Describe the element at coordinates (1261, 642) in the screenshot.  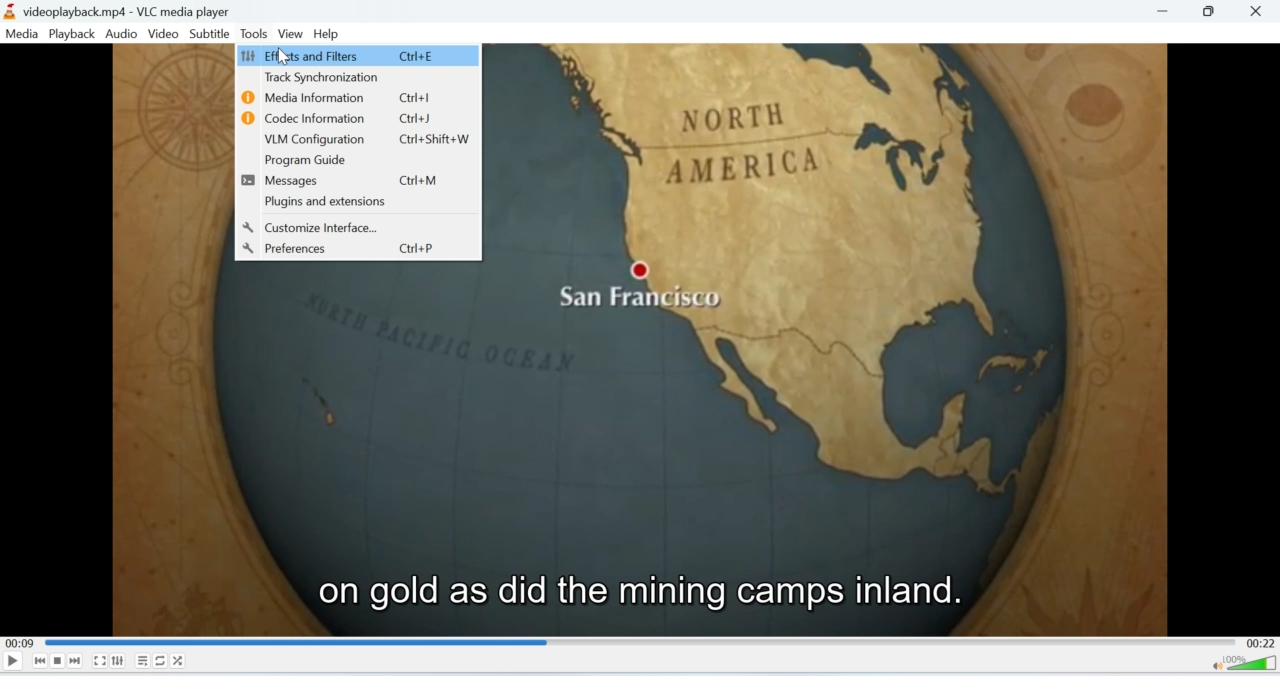
I see `00:22` at that location.